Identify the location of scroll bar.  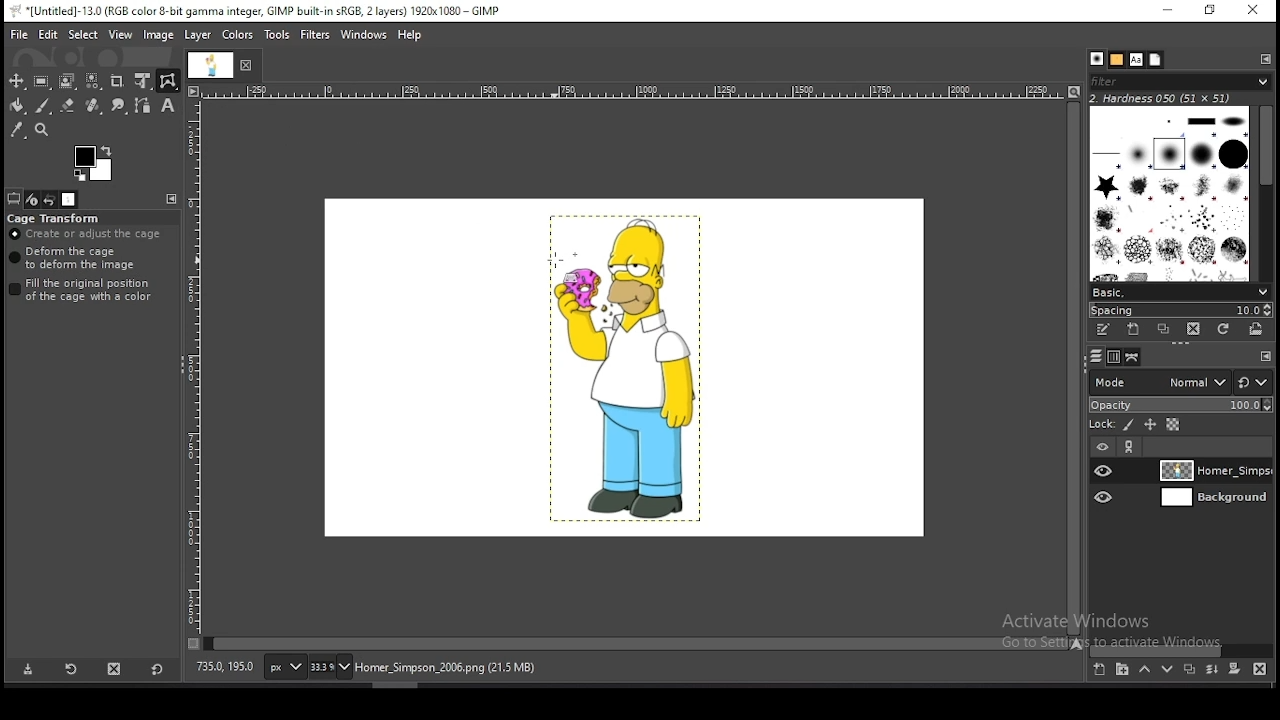
(1264, 190).